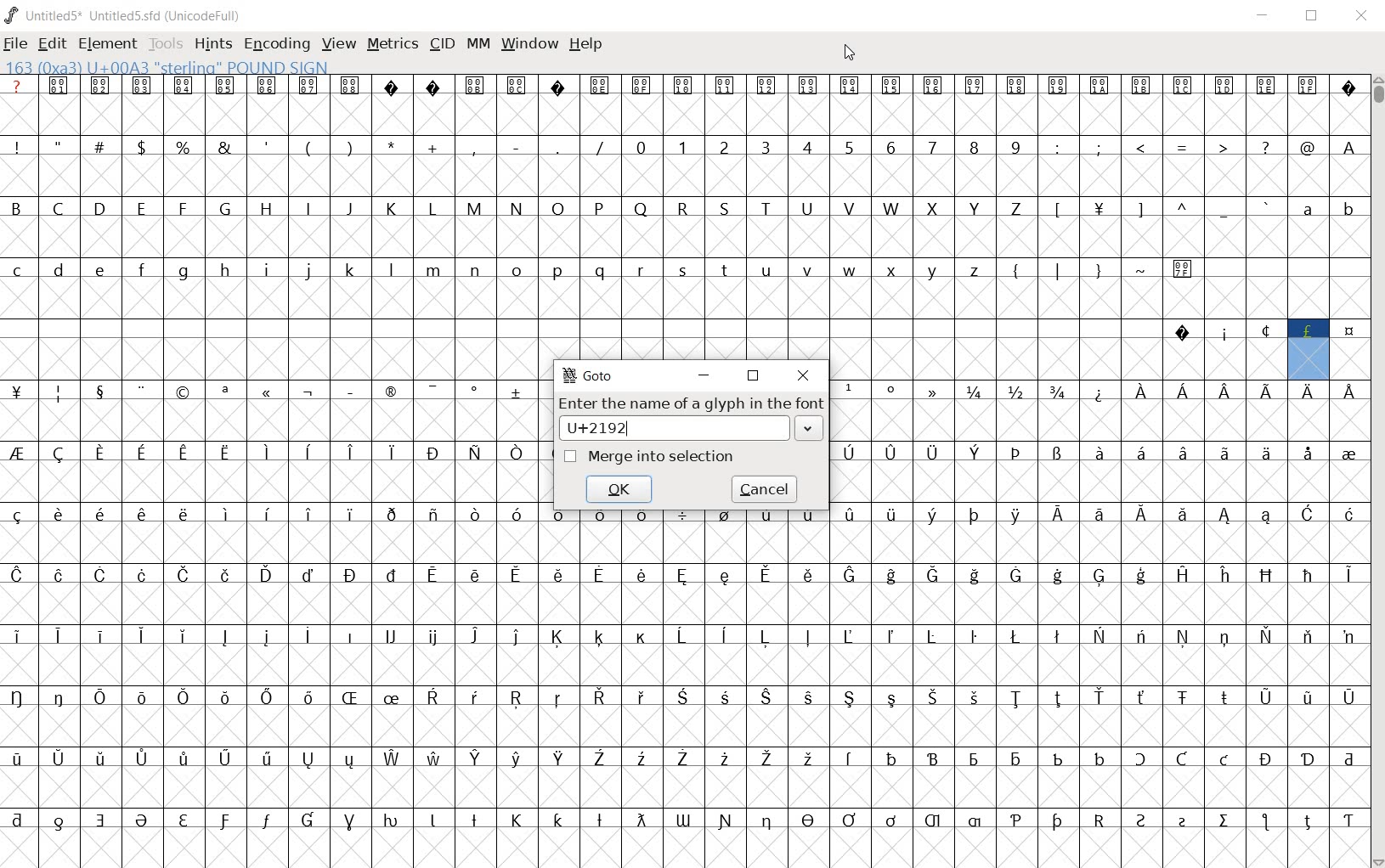 Image resolution: width=1385 pixels, height=868 pixels. What do you see at coordinates (392, 43) in the screenshot?
I see `METRICS` at bounding box center [392, 43].